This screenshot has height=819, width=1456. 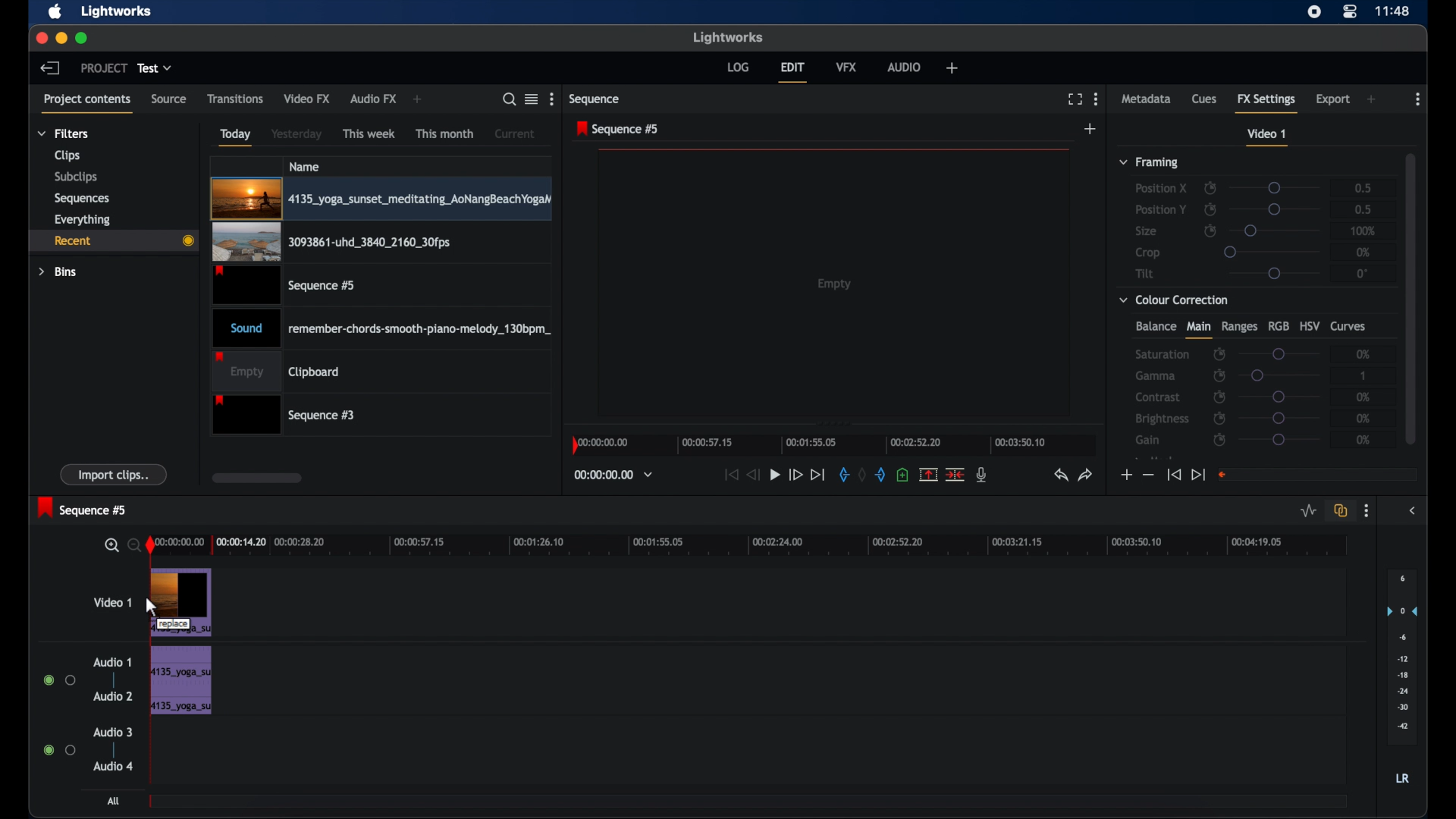 I want to click on audio 2, so click(x=112, y=696).